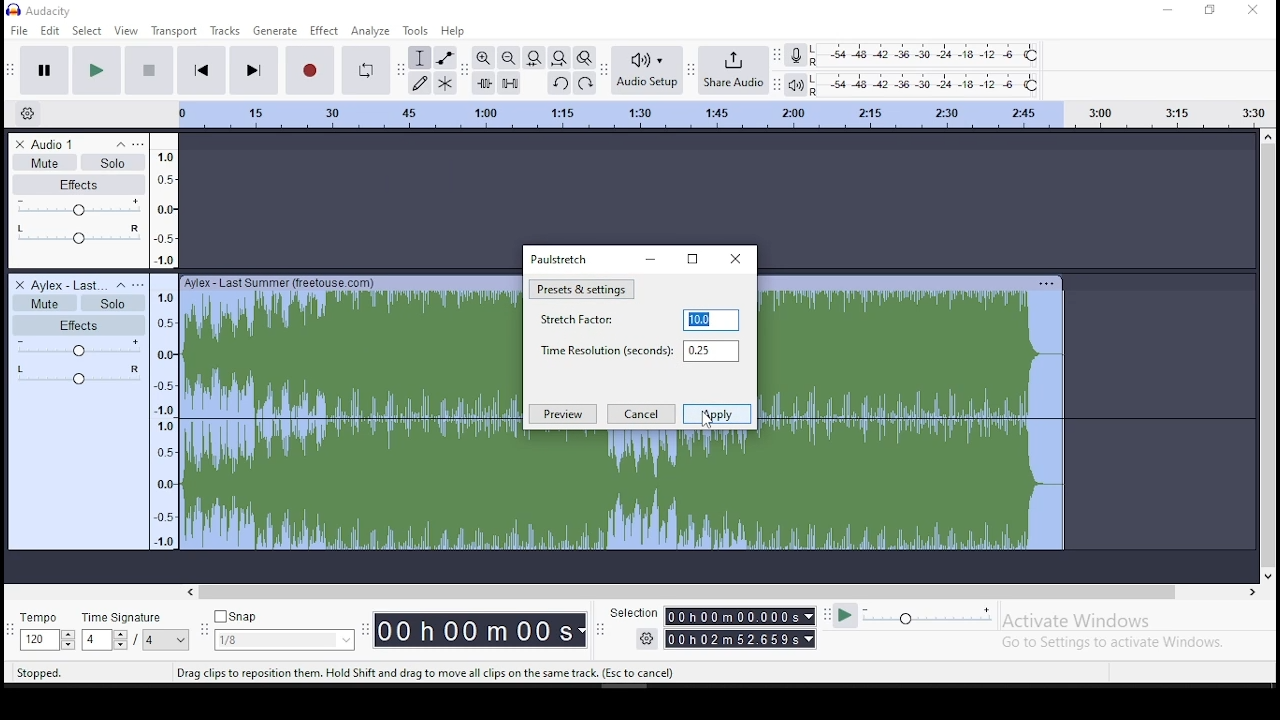 The height and width of the screenshot is (720, 1280). Describe the element at coordinates (563, 413) in the screenshot. I see `preview` at that location.